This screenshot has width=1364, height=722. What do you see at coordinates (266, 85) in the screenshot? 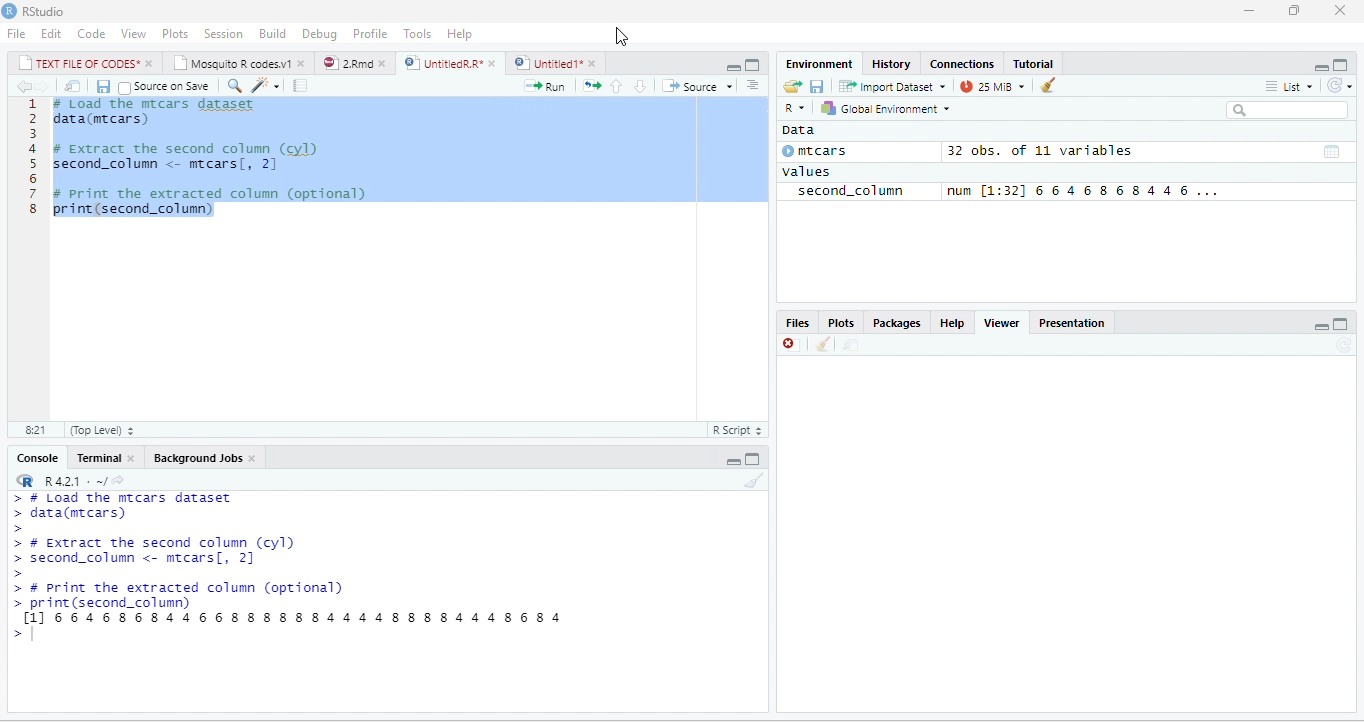
I see `code tools` at bounding box center [266, 85].